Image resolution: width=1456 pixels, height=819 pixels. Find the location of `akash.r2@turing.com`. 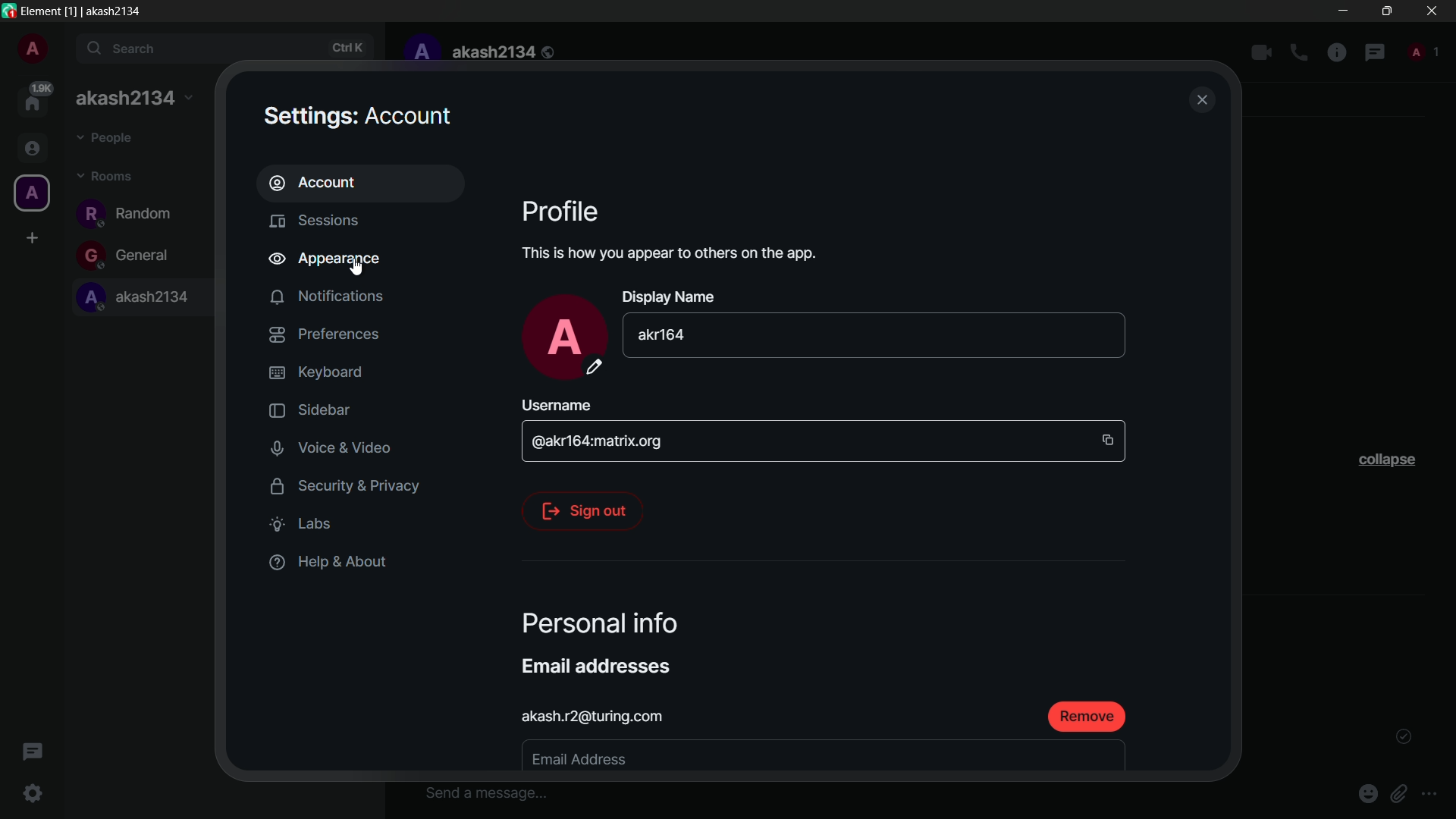

akash.r2@turing.com is located at coordinates (592, 715).